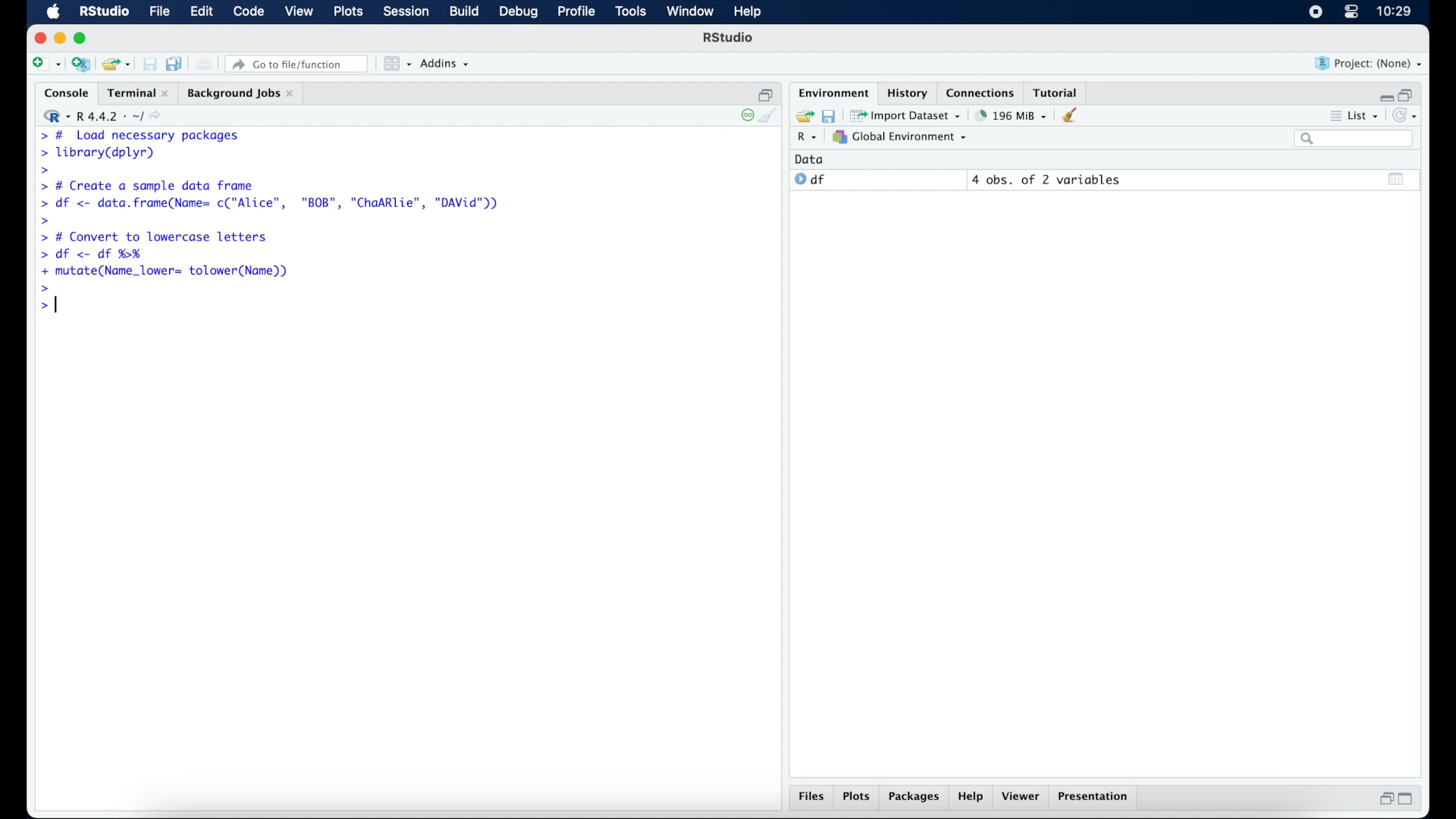  What do you see at coordinates (1397, 178) in the screenshot?
I see `show output  window` at bounding box center [1397, 178].